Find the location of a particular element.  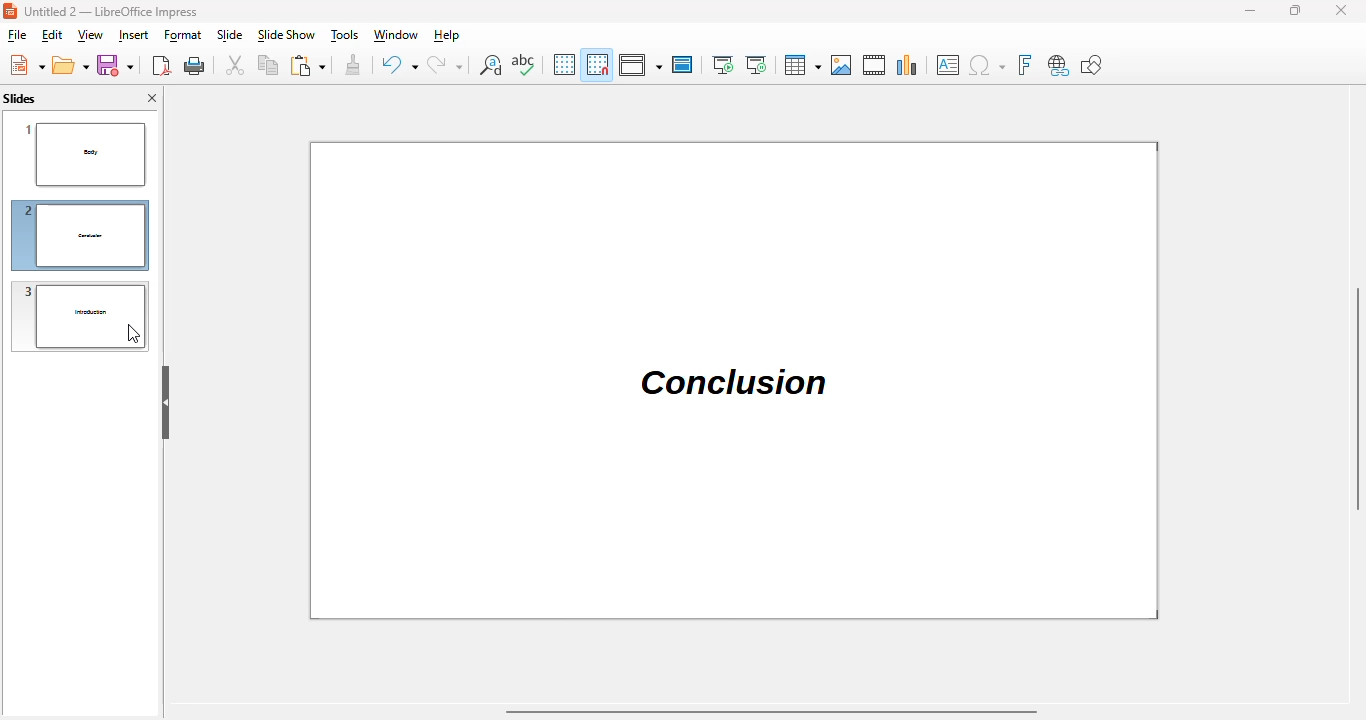

display grid is located at coordinates (564, 63).